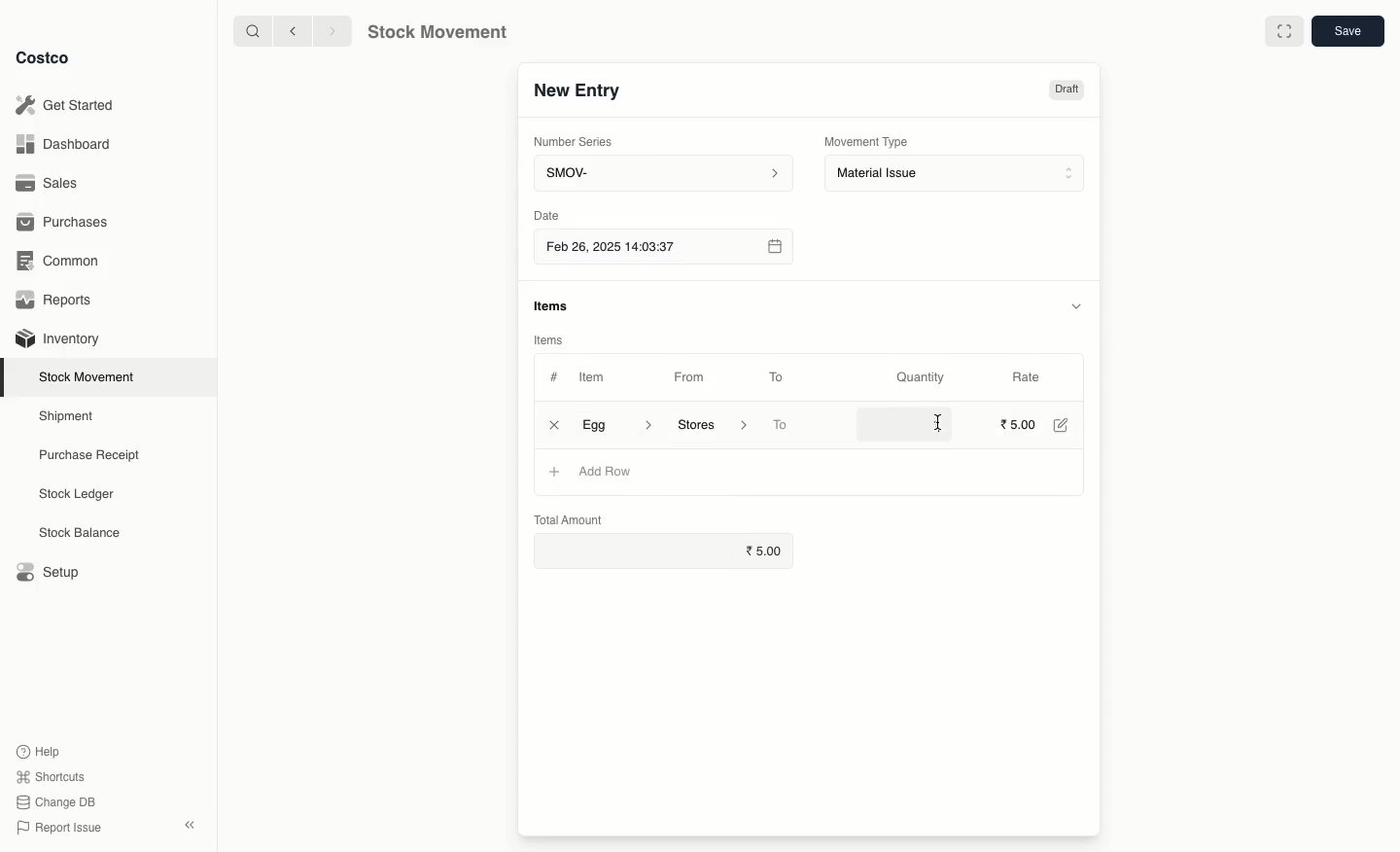  What do you see at coordinates (69, 104) in the screenshot?
I see `Get Started` at bounding box center [69, 104].